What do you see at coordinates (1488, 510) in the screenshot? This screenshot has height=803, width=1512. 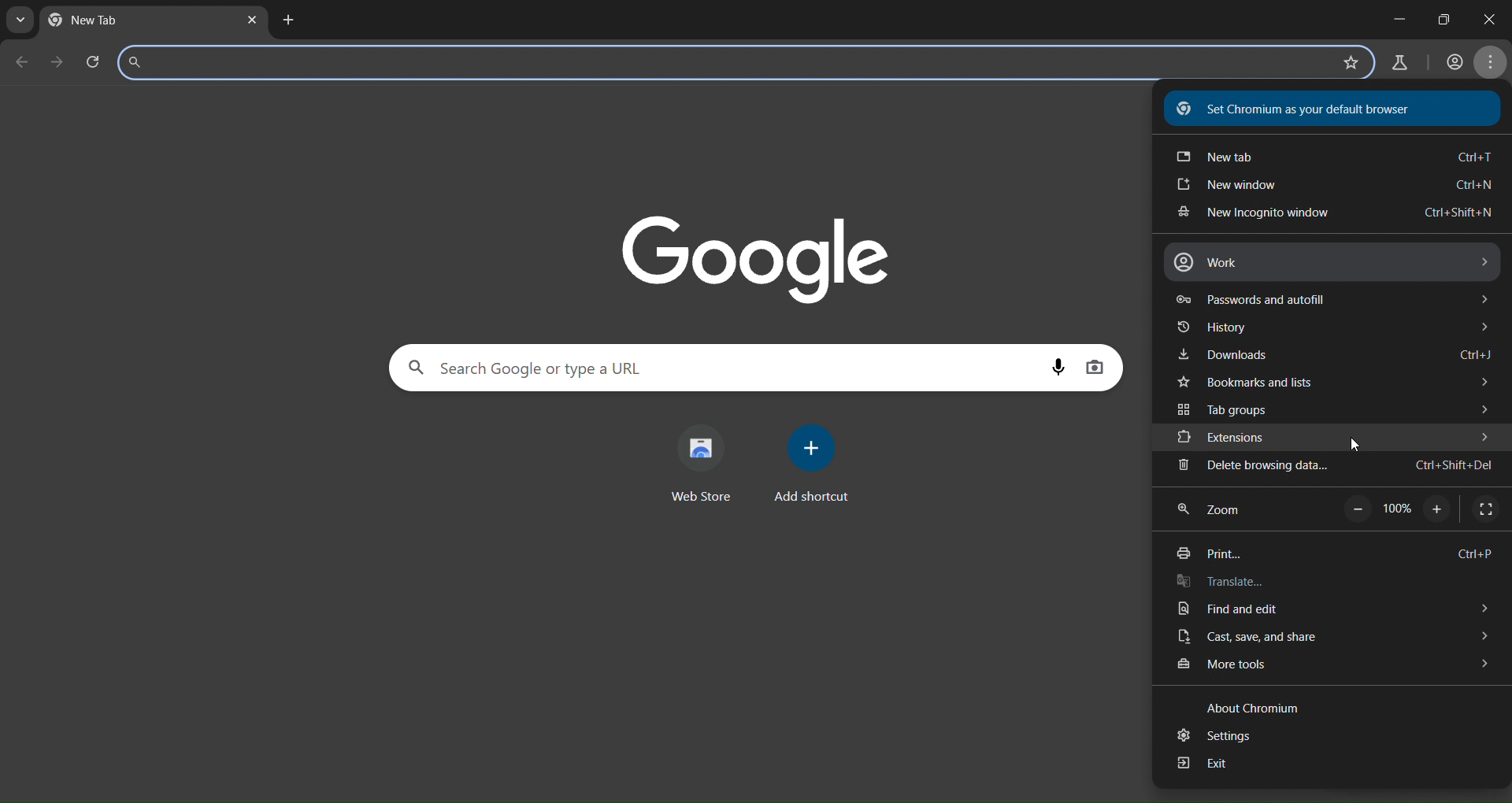 I see `display full screen ` at bounding box center [1488, 510].